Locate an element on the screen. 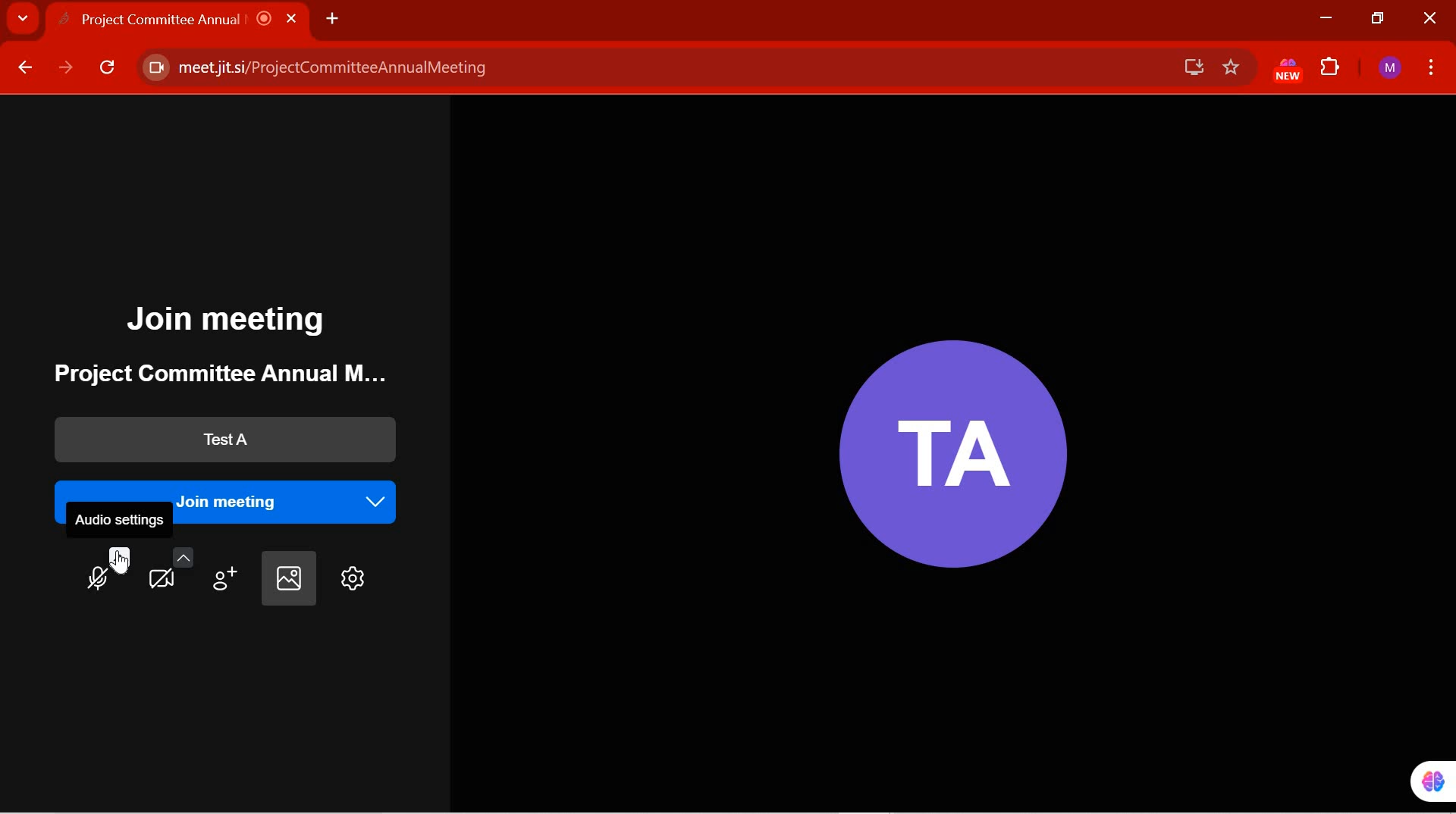  Join Meeting is located at coordinates (231, 321).